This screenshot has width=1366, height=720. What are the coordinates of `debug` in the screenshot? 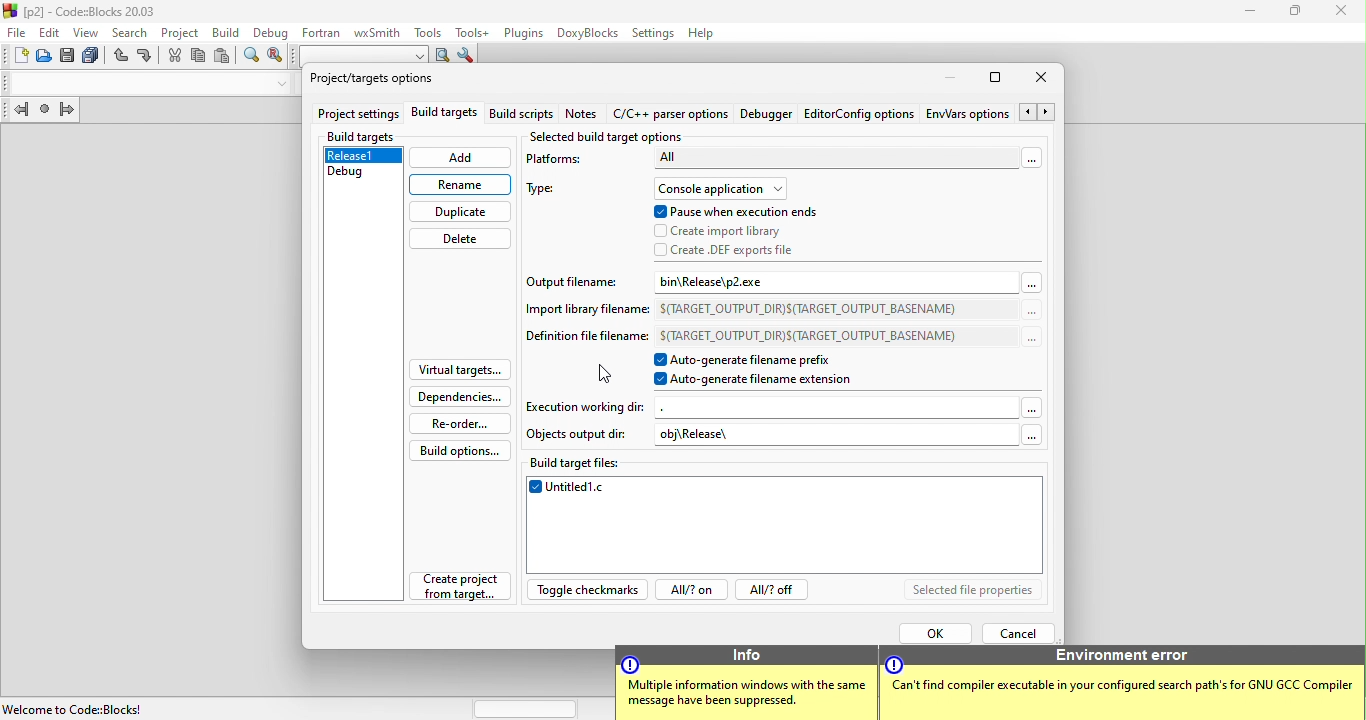 It's located at (362, 176).